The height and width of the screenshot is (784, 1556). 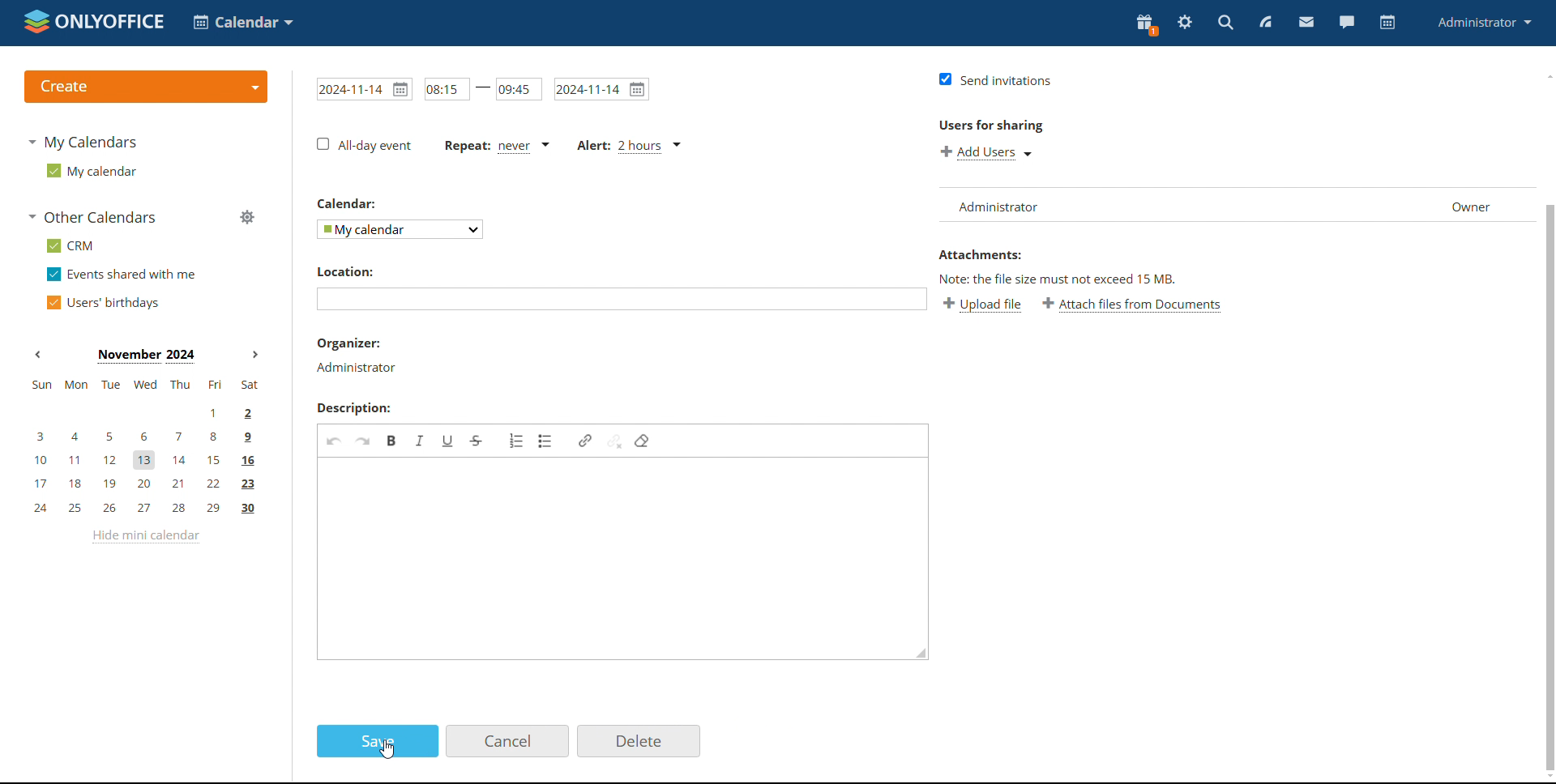 I want to click on alert set for 2 hours before, so click(x=631, y=145).